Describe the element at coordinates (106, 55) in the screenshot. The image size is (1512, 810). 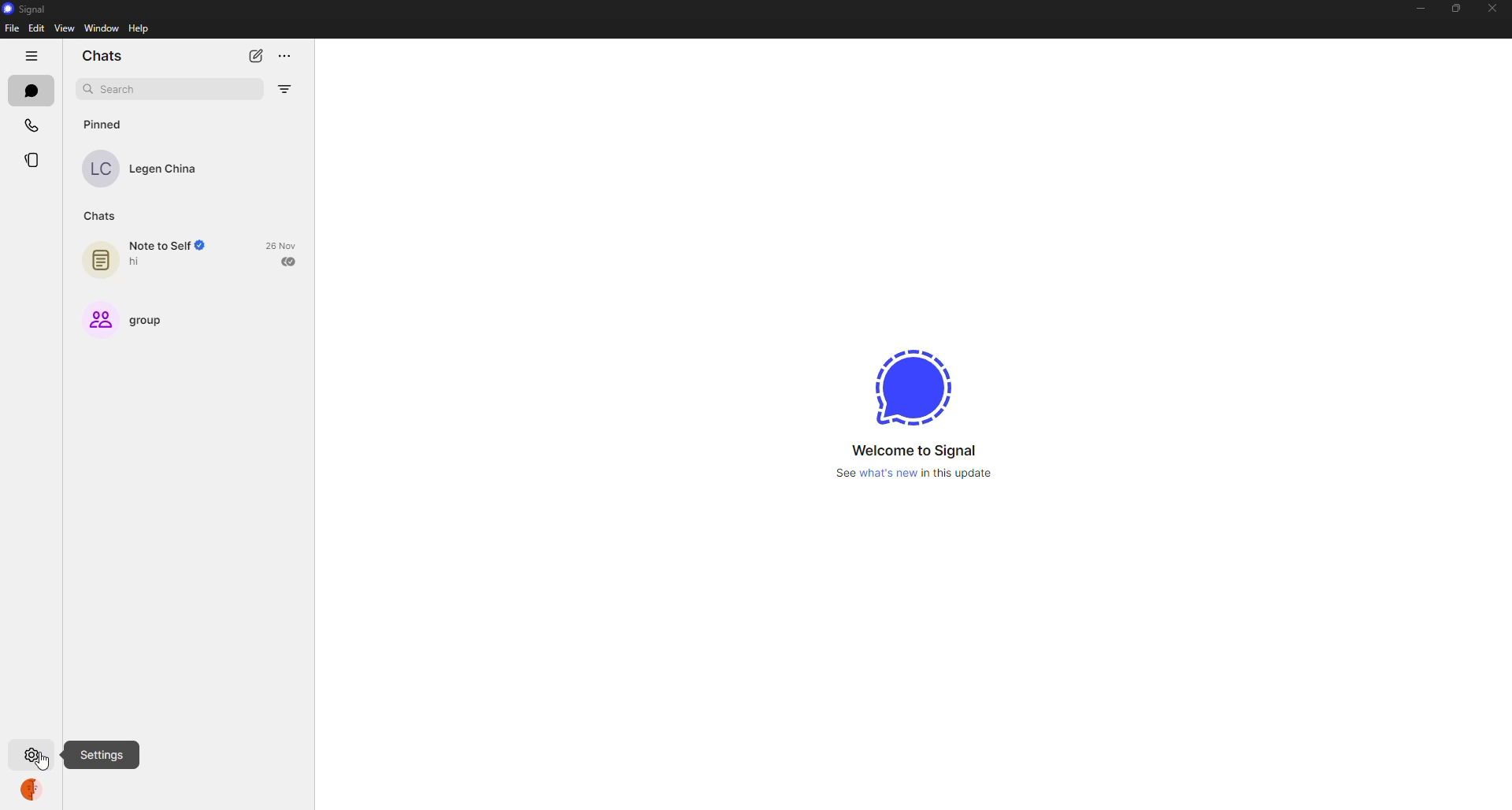
I see `chats` at that location.